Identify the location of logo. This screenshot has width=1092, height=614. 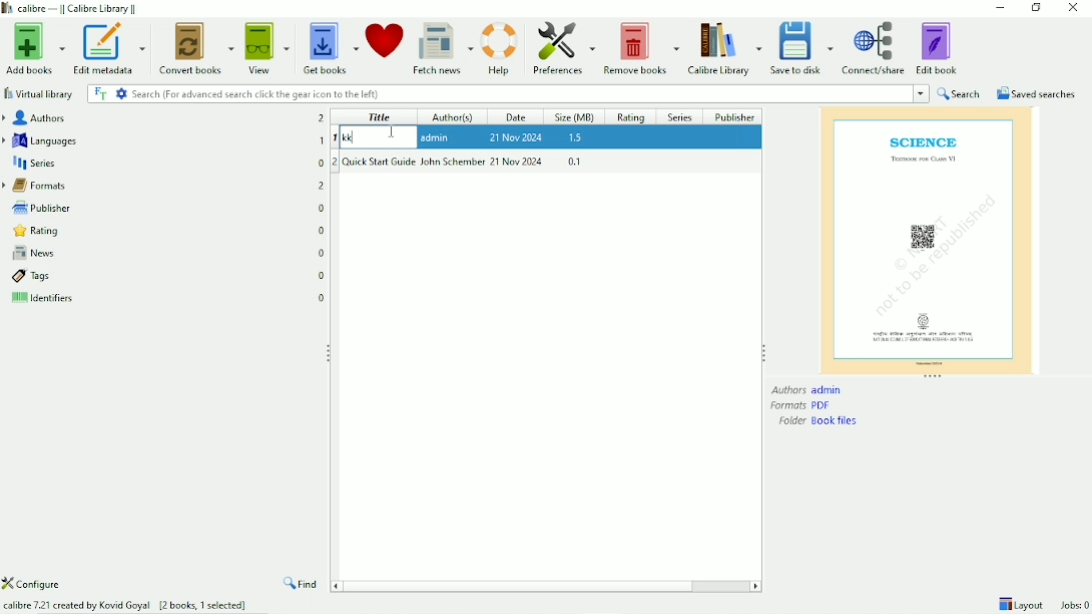
(8, 9).